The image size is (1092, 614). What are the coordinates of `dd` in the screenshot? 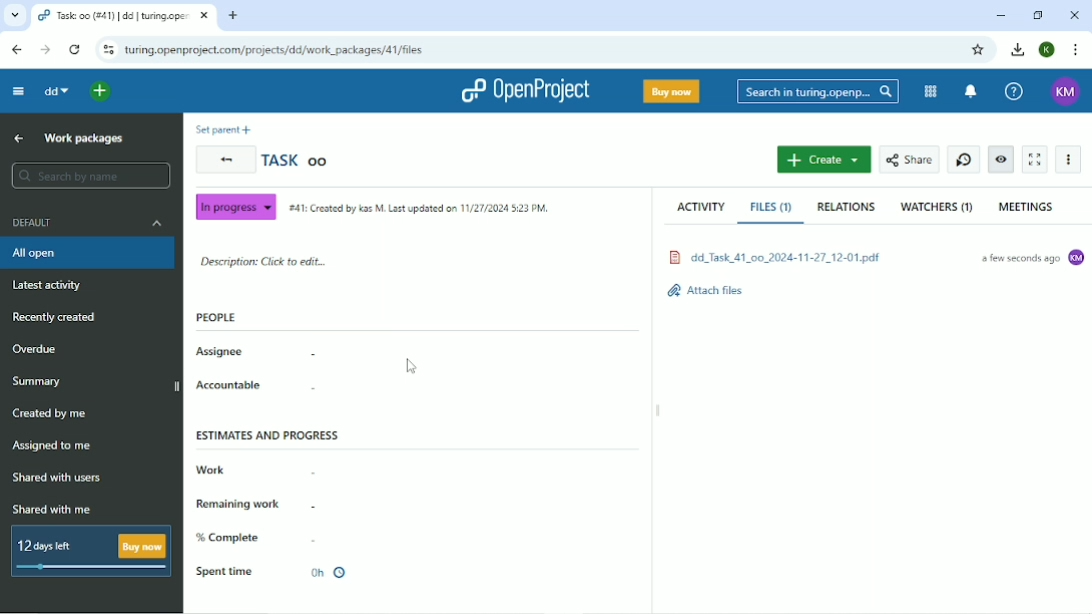 It's located at (57, 93).